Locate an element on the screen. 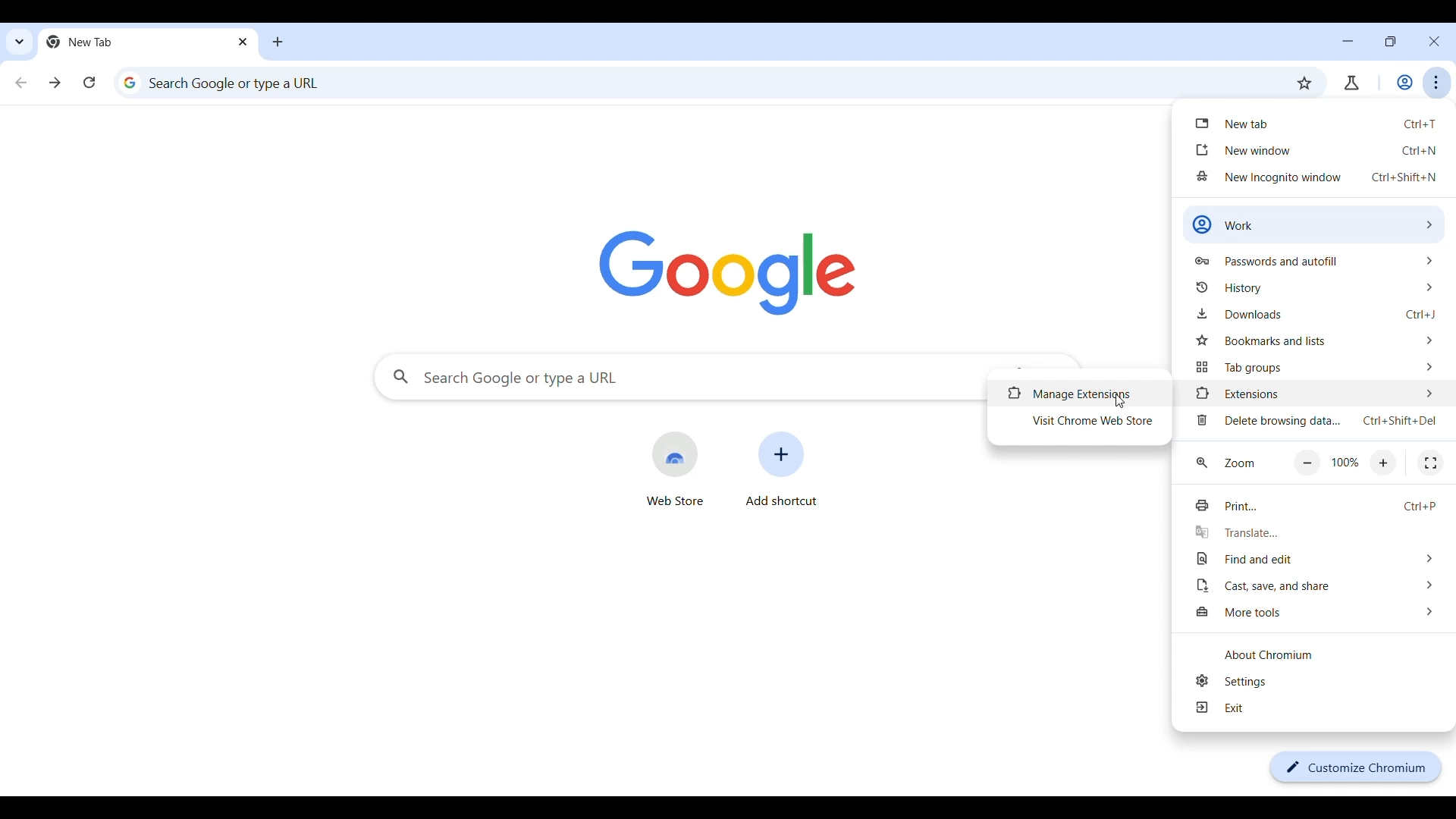 The height and width of the screenshot is (819, 1456). Google logo is located at coordinates (727, 274).